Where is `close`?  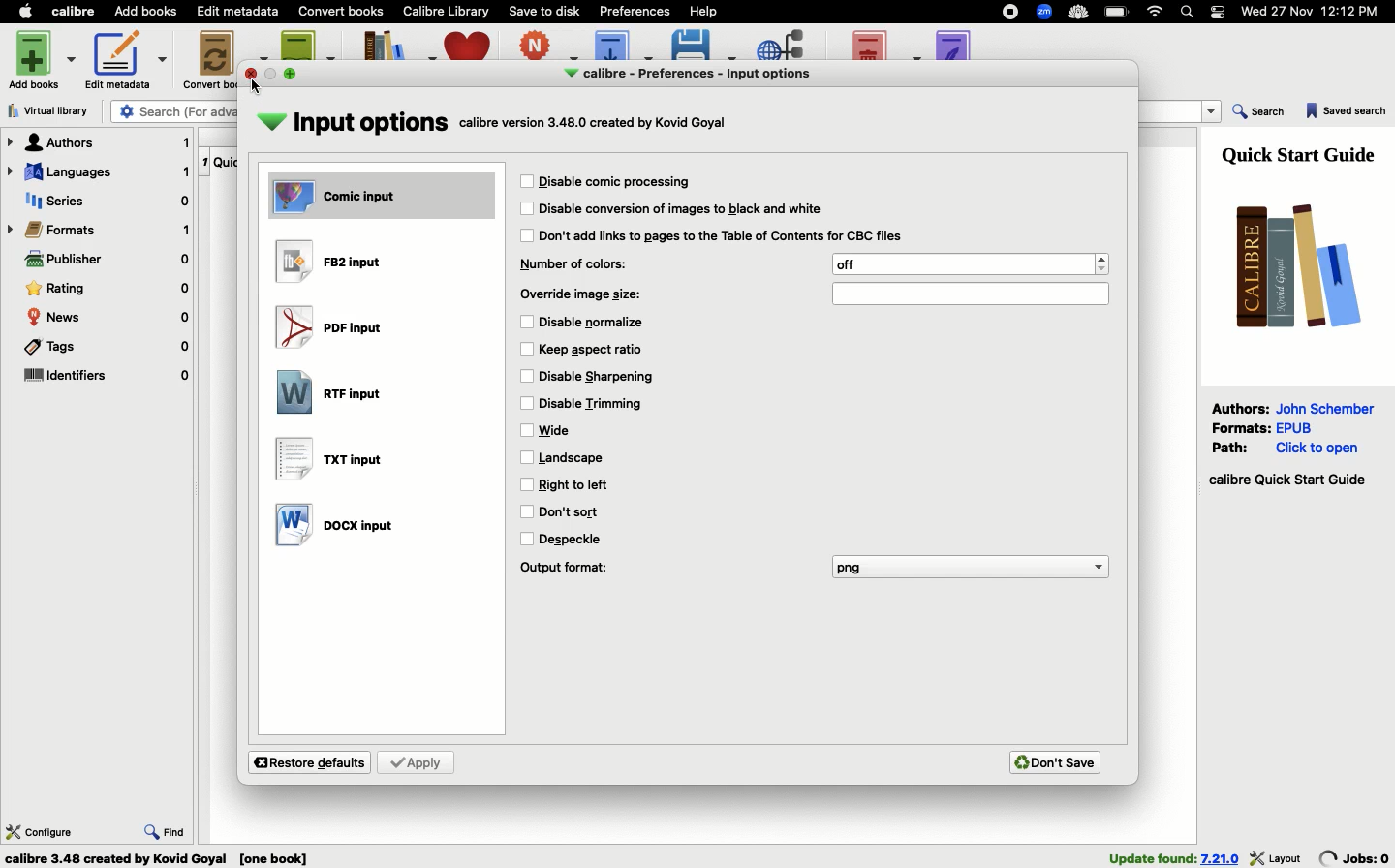 close is located at coordinates (252, 74).